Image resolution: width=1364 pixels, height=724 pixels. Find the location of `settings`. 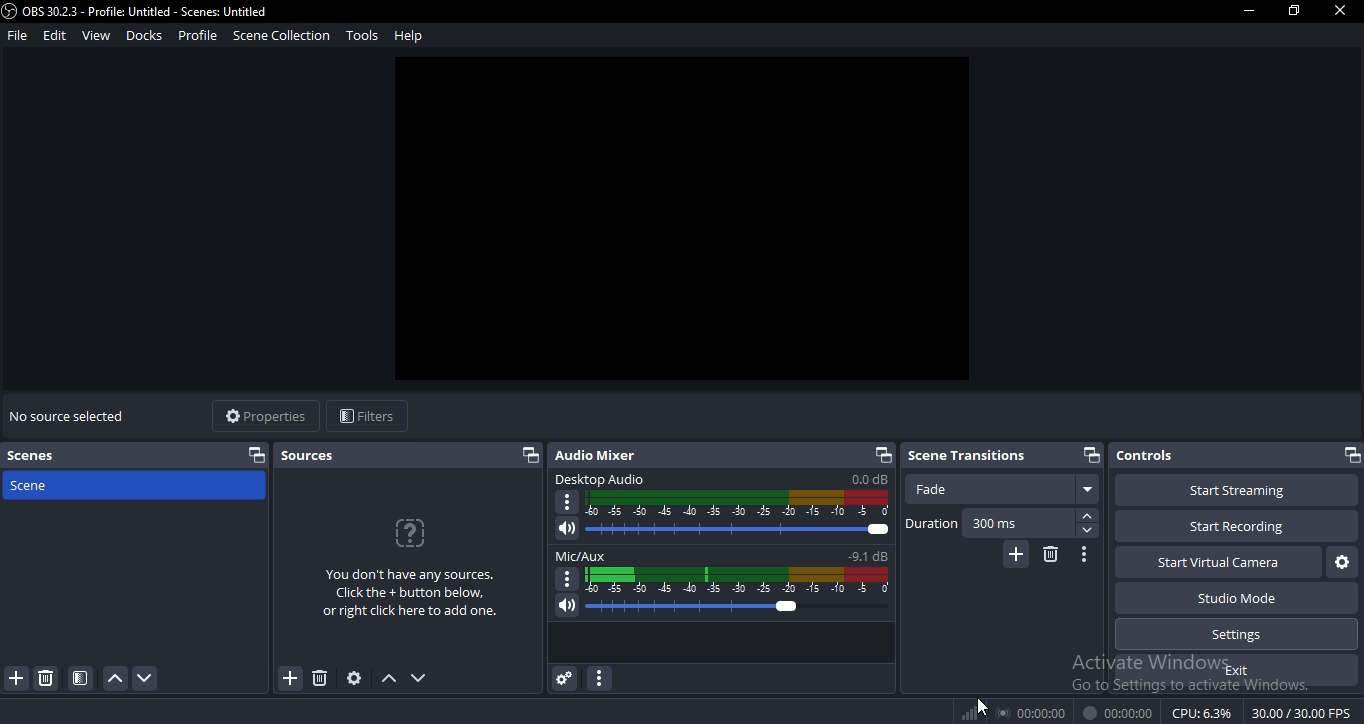

settings is located at coordinates (1236, 633).